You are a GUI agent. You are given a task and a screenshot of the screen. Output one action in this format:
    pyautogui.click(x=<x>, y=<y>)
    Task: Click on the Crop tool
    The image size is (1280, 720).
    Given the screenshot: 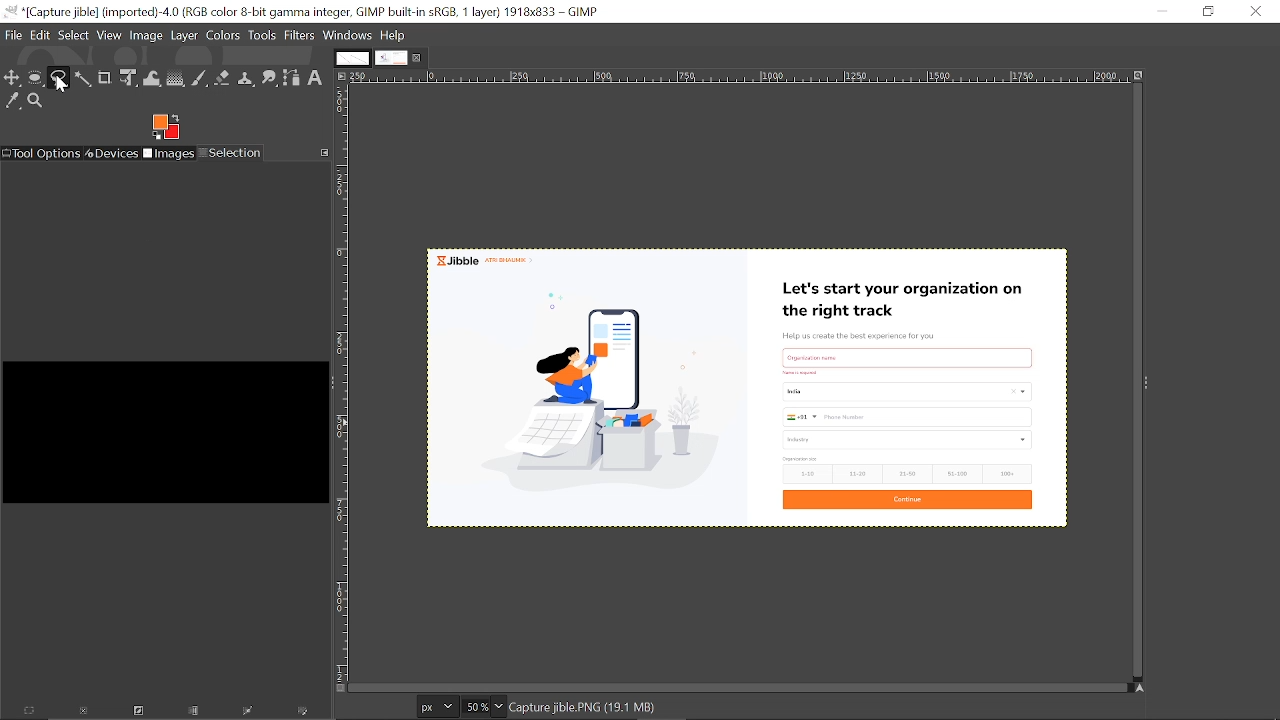 What is the action you would take?
    pyautogui.click(x=104, y=78)
    